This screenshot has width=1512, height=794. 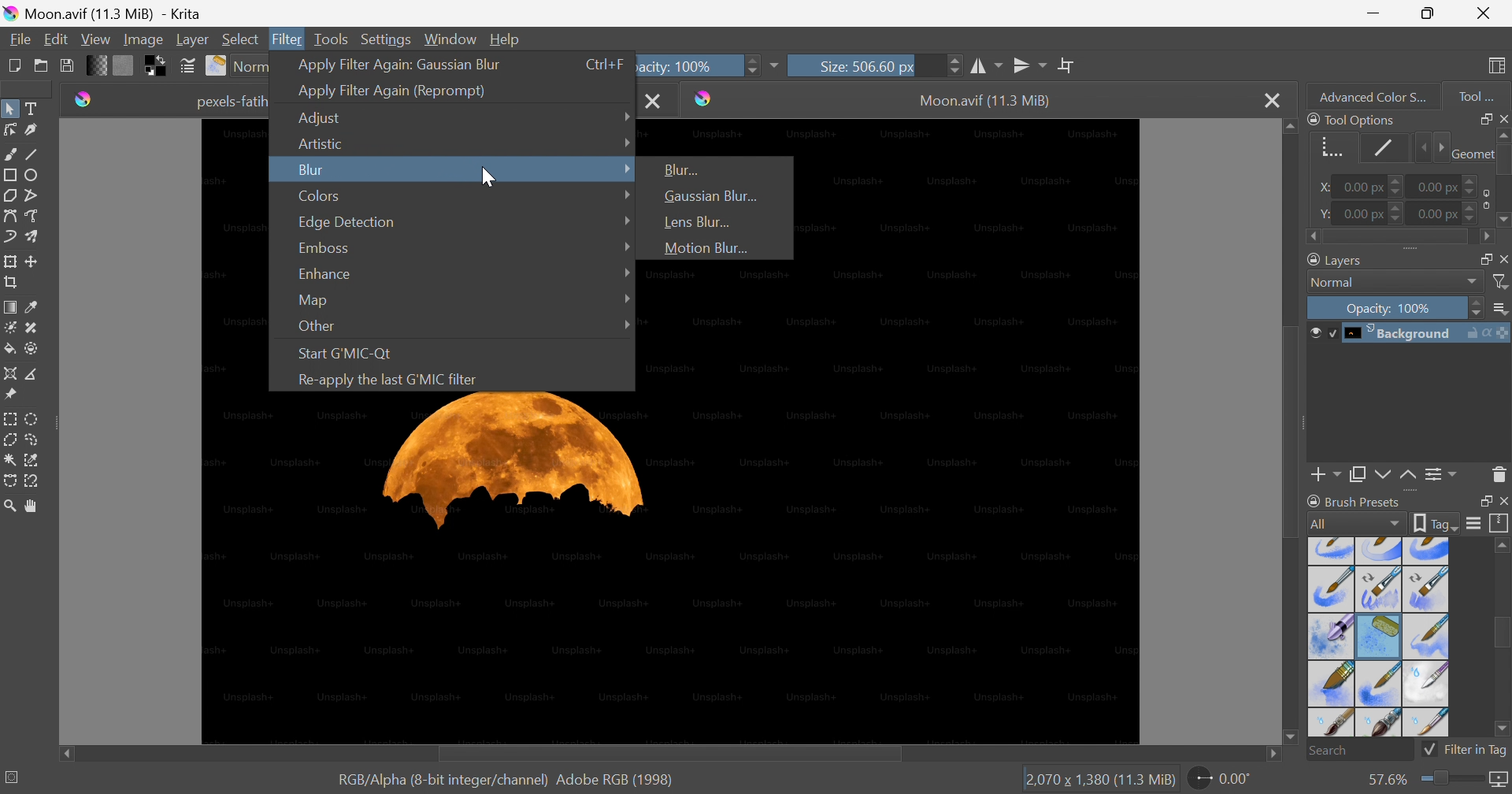 I want to click on Move layer or mask down, so click(x=1382, y=476).